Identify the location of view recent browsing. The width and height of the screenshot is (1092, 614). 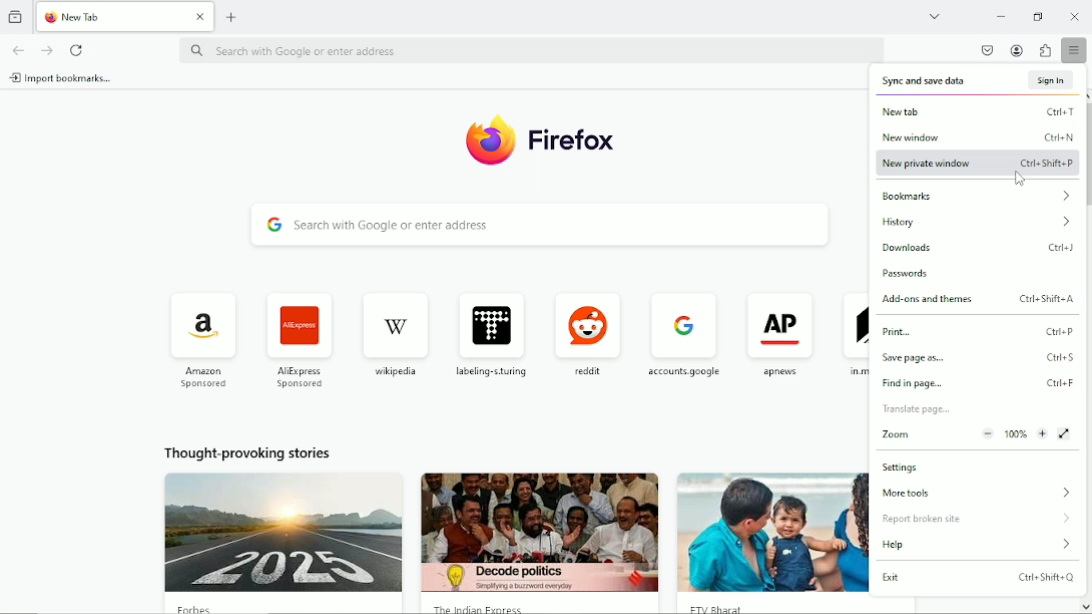
(17, 15).